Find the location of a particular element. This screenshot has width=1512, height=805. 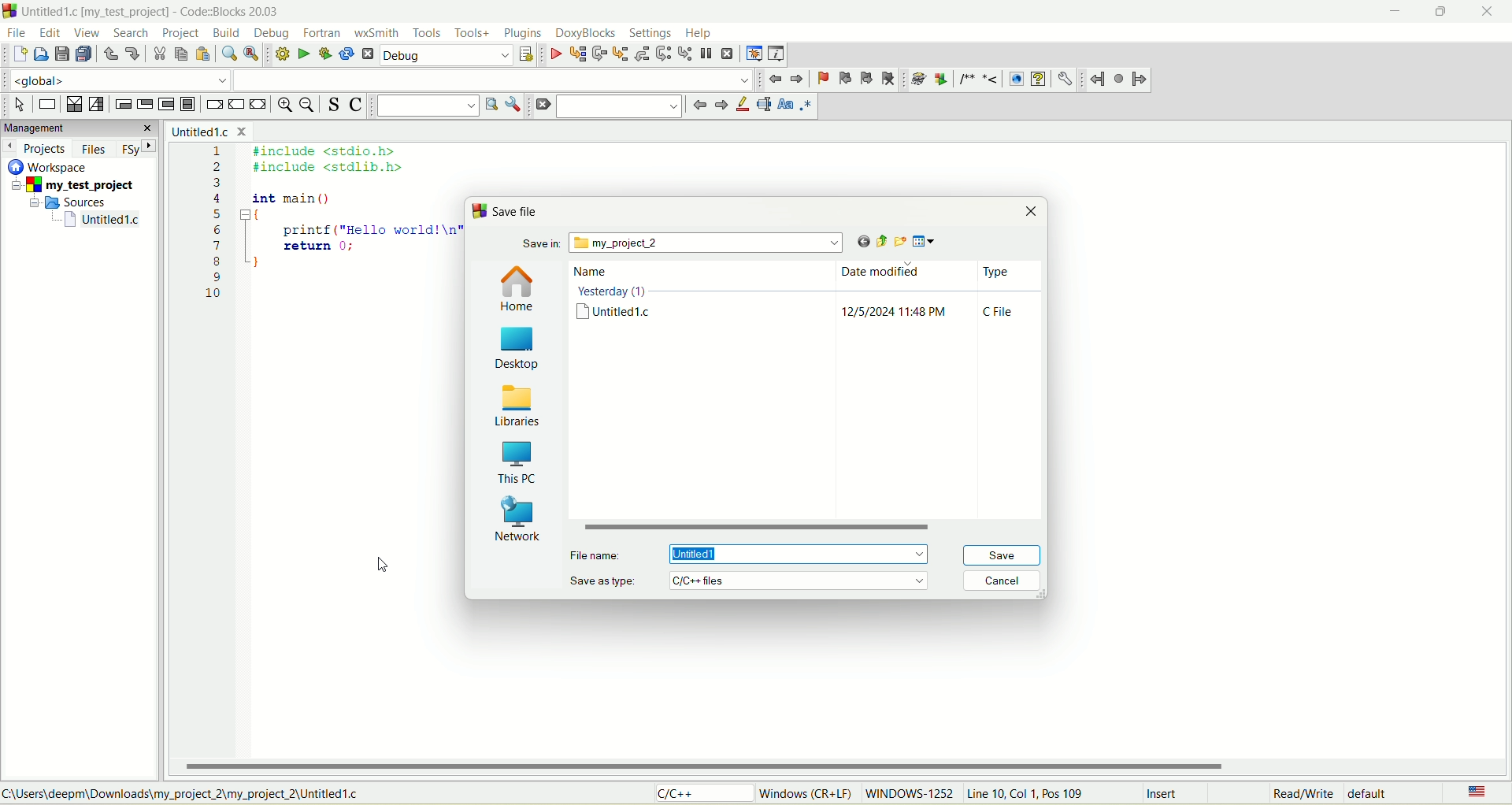

WINDOWS-1252 is located at coordinates (908, 796).